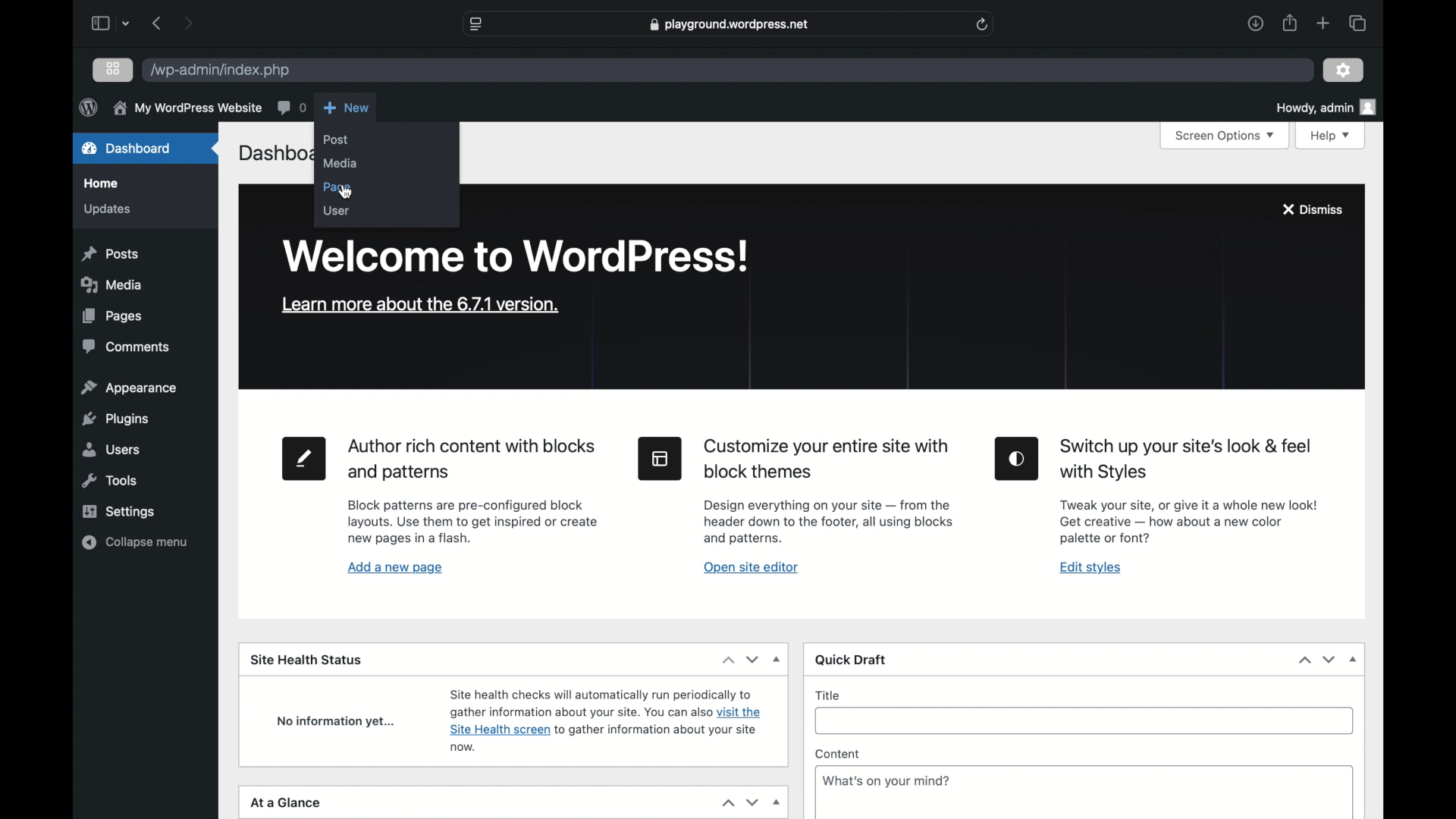 The height and width of the screenshot is (819, 1456). Describe the element at coordinates (127, 148) in the screenshot. I see `dashboard` at that location.